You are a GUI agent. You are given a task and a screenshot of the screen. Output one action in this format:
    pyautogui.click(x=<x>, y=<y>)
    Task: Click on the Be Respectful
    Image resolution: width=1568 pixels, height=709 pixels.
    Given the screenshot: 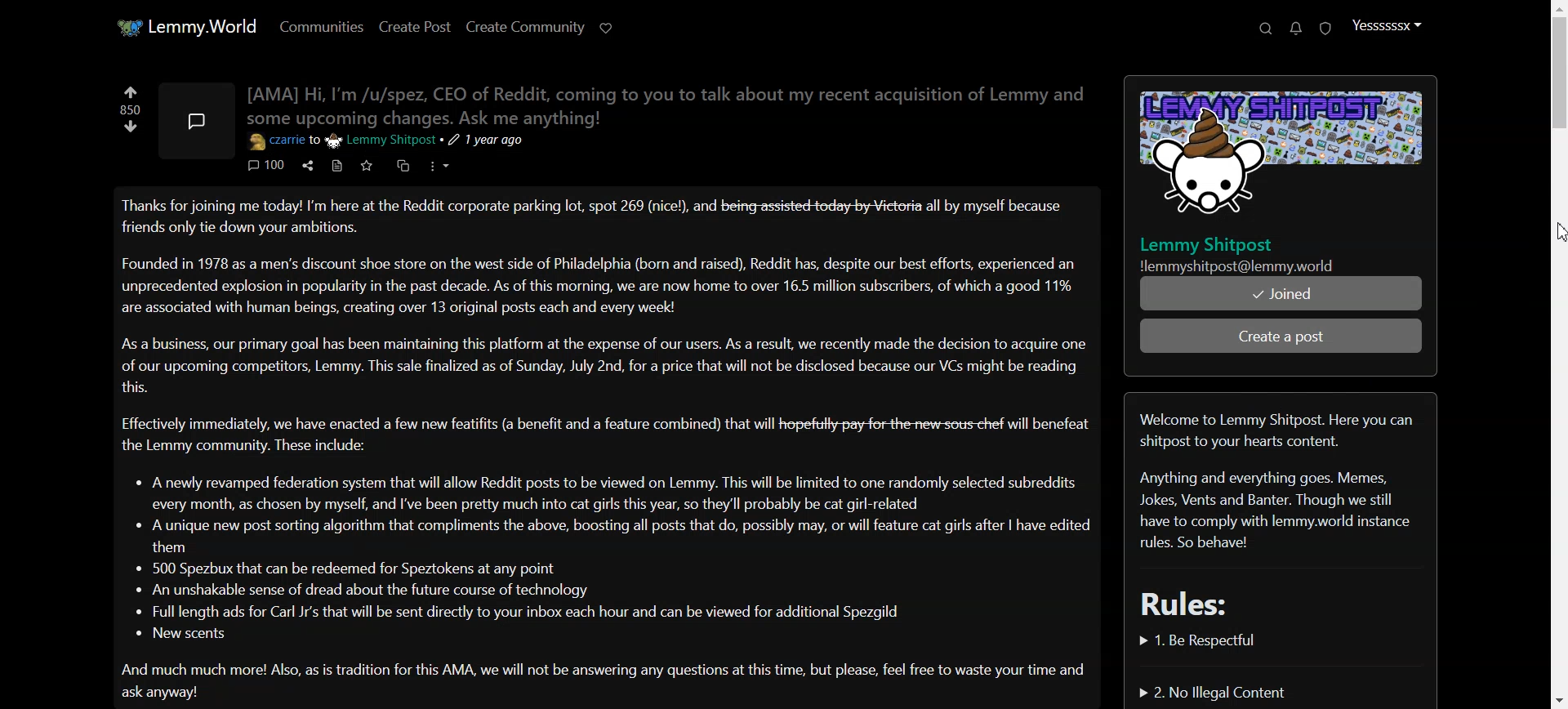 What is the action you would take?
    pyautogui.click(x=1209, y=640)
    